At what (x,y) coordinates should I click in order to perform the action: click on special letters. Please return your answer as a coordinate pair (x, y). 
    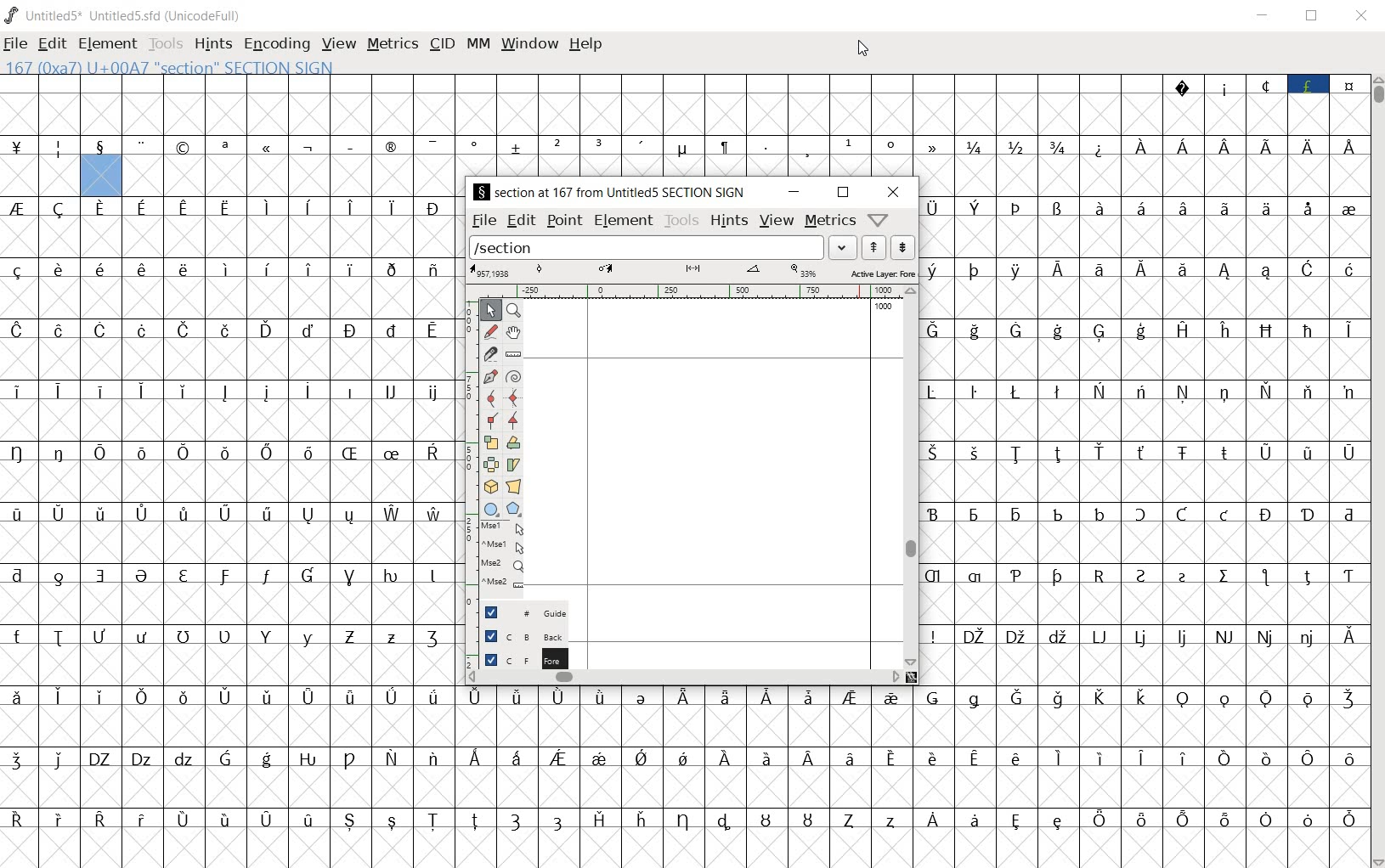
    Looking at the image, I should click on (235, 330).